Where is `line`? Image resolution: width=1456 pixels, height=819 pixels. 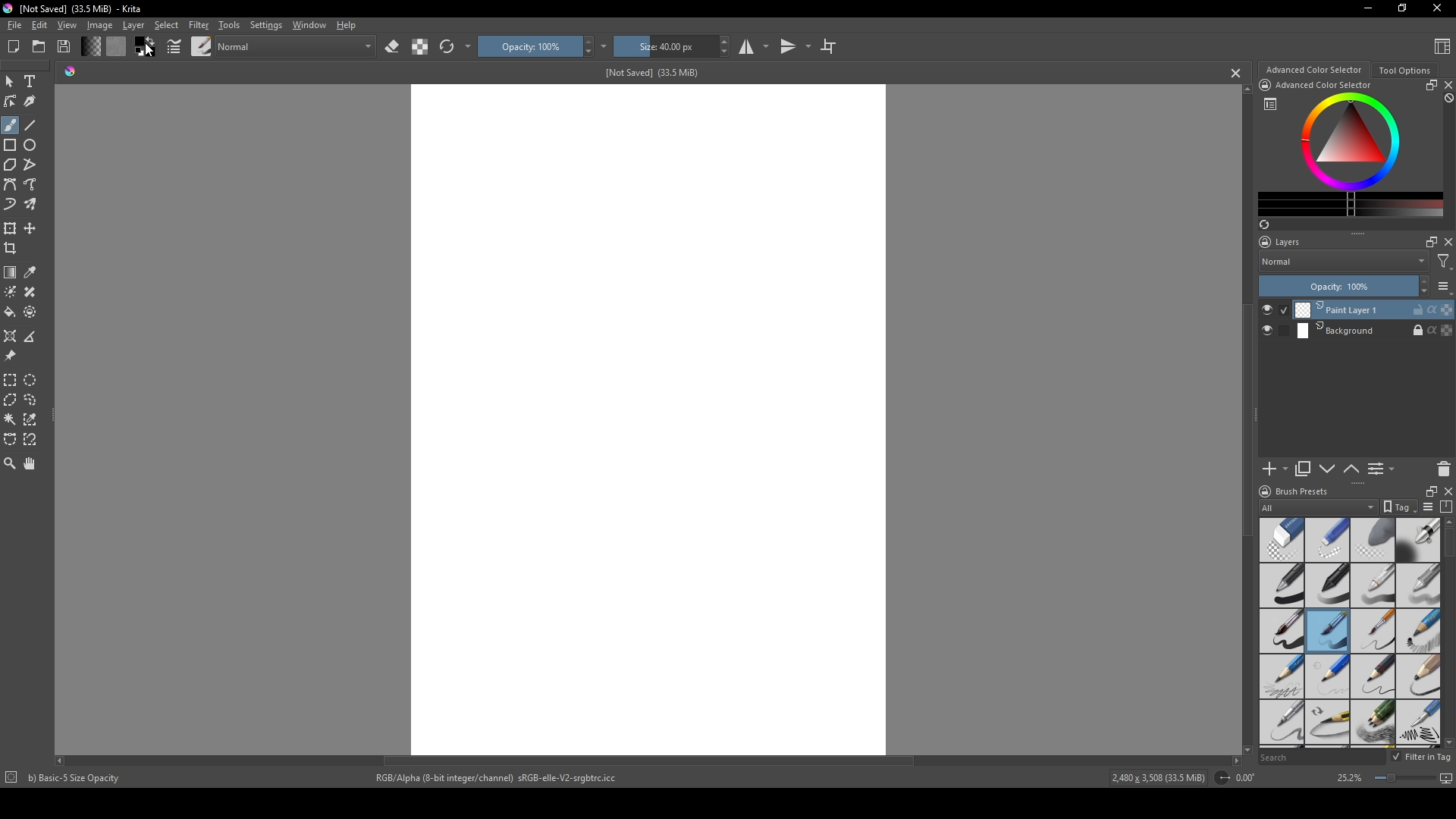
line is located at coordinates (31, 125).